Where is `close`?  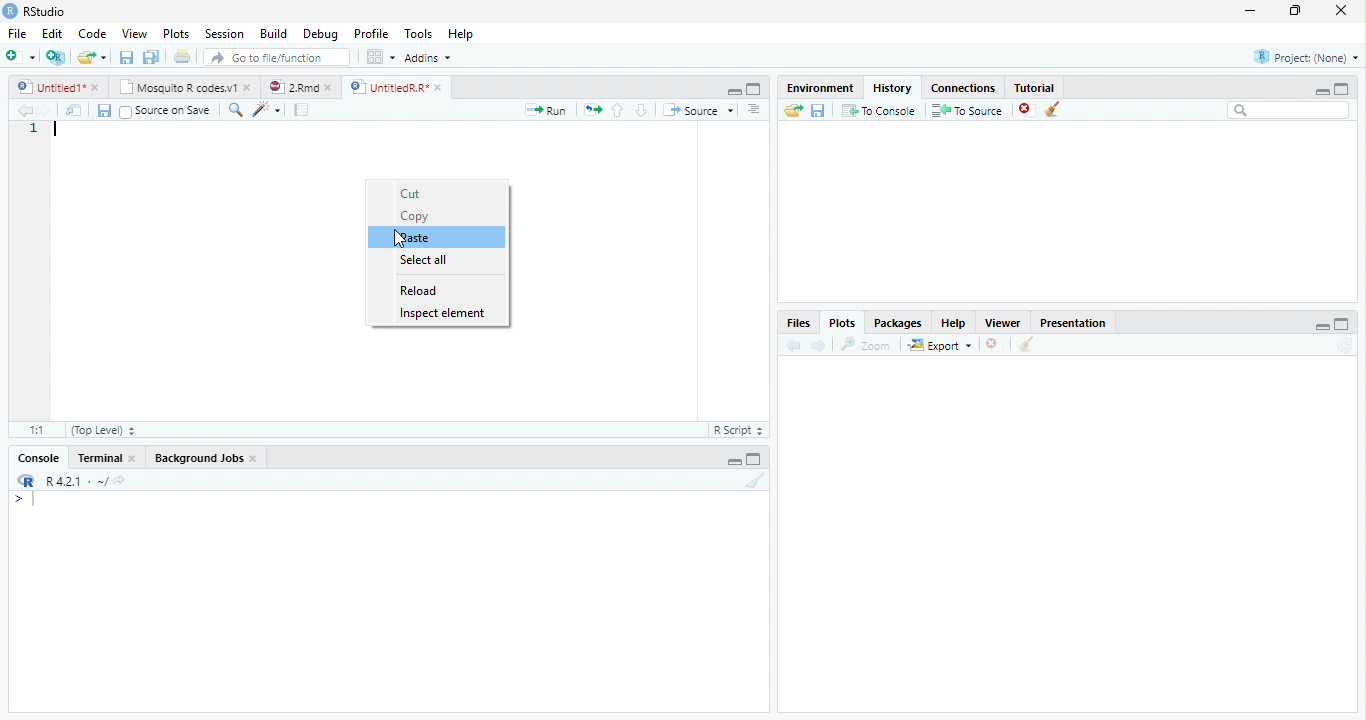 close is located at coordinates (97, 87).